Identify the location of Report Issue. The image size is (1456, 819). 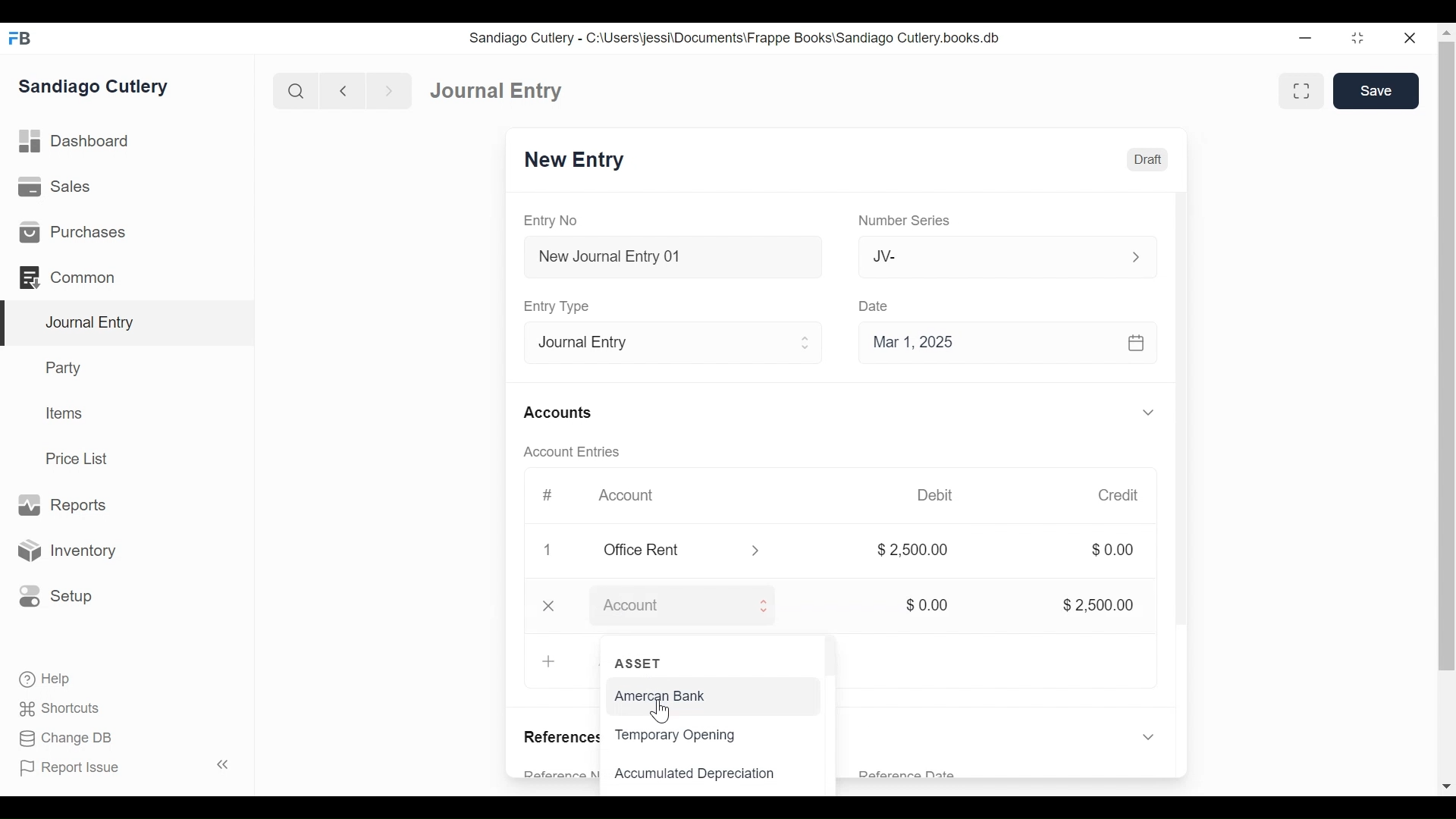
(76, 769).